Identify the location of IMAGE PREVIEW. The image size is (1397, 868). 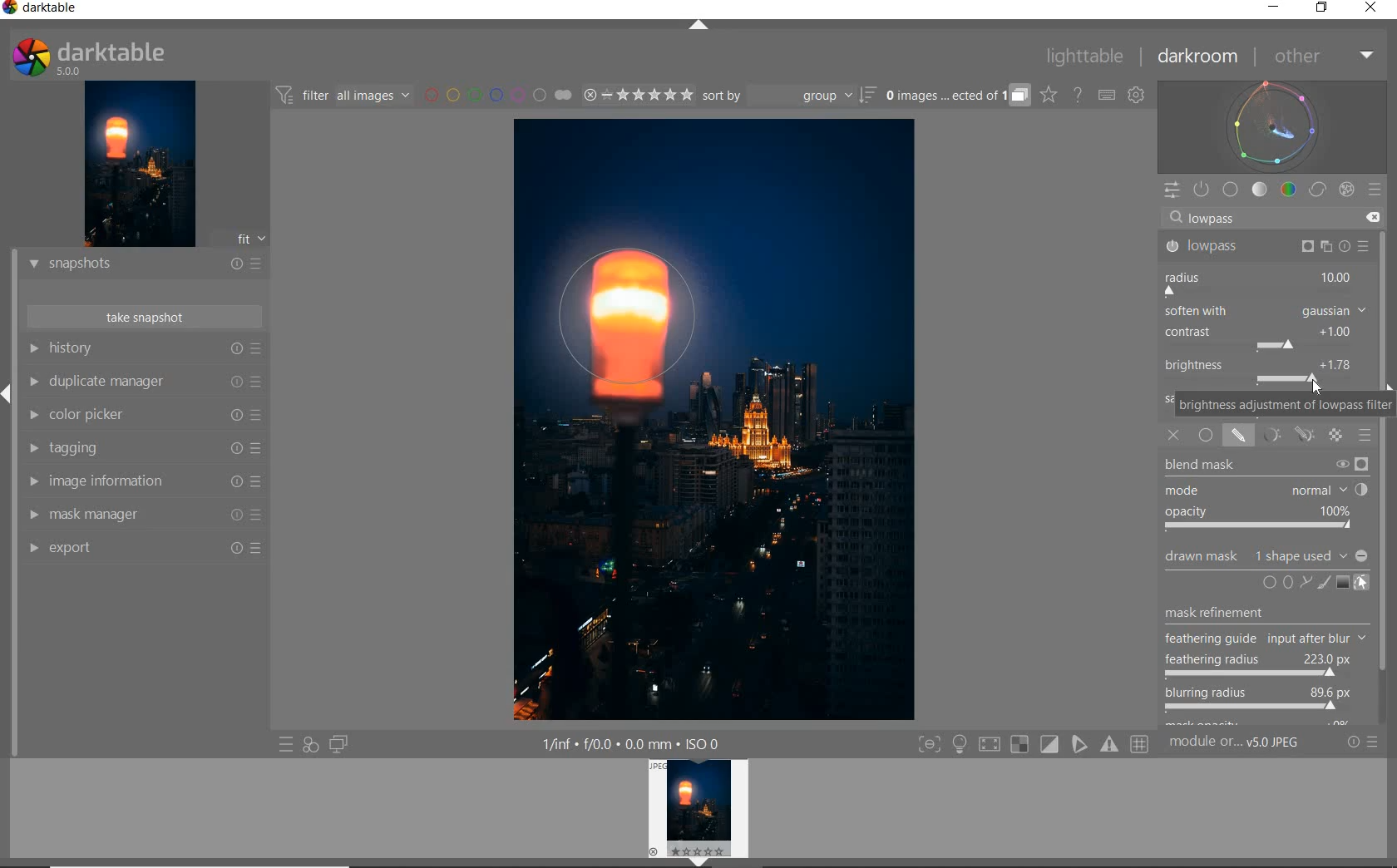
(701, 813).